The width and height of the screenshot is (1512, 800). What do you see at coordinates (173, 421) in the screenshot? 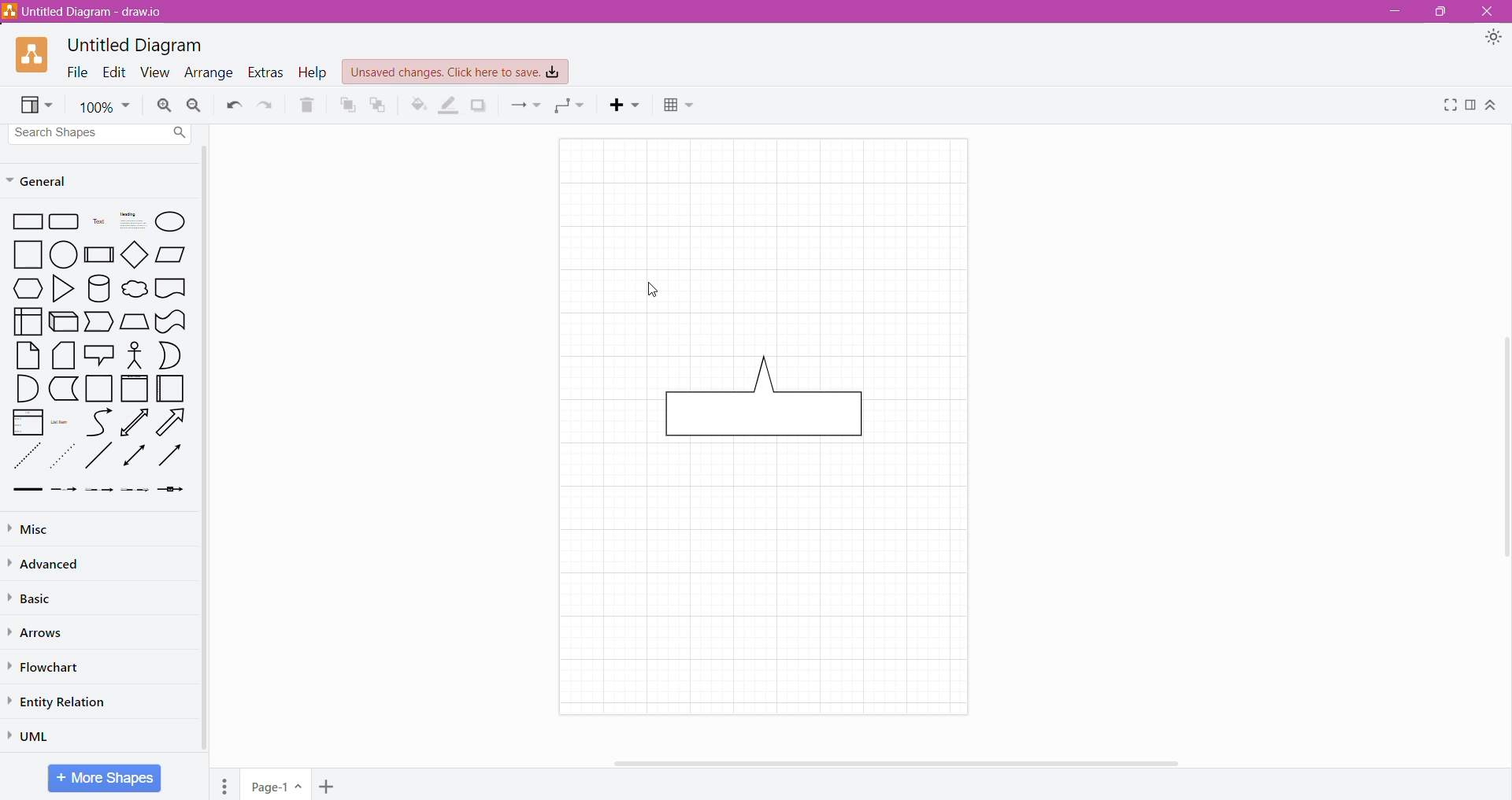
I see `Right Diagonal Arrow` at bounding box center [173, 421].